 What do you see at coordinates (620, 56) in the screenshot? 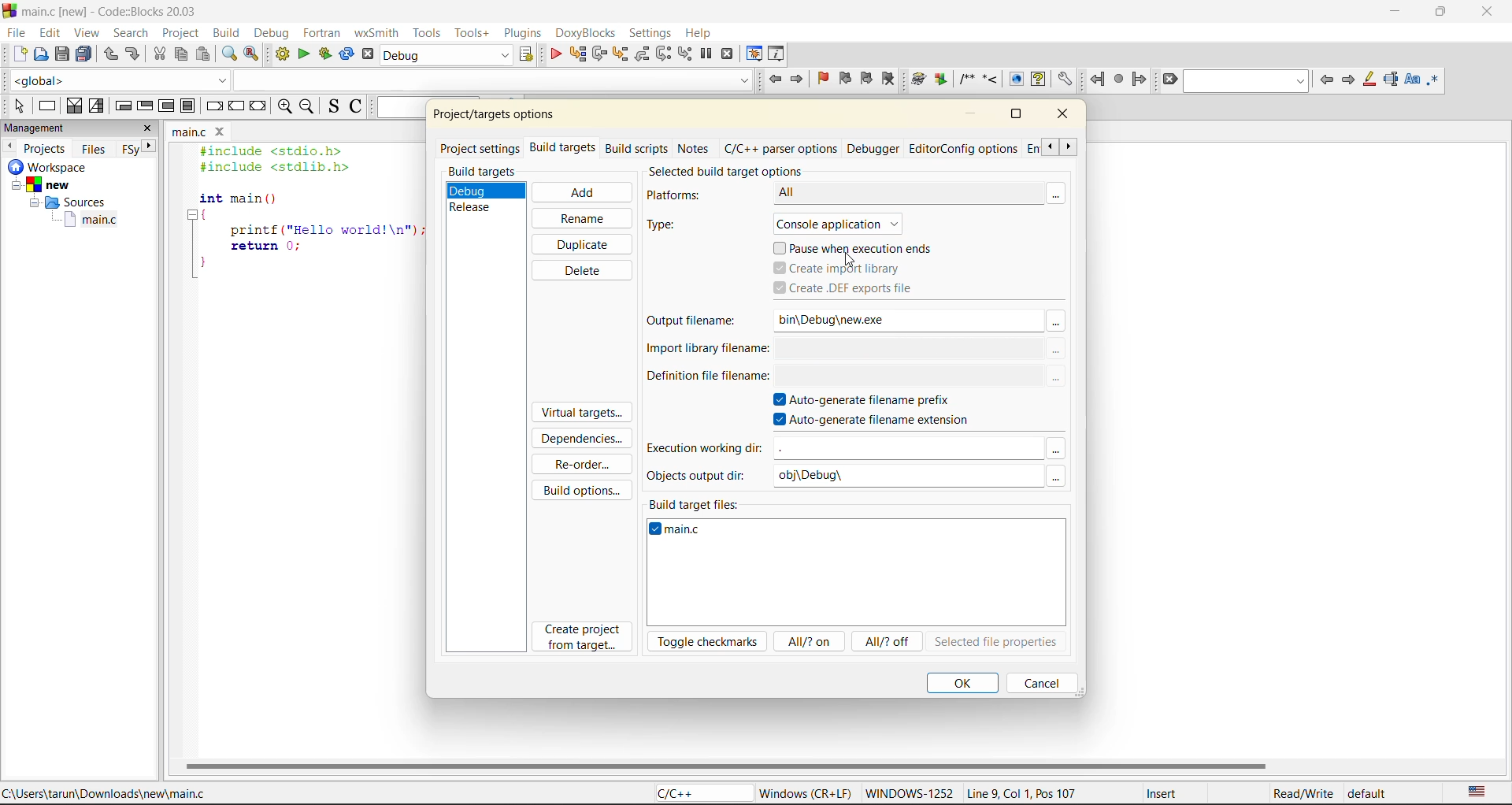
I see `step into` at bounding box center [620, 56].